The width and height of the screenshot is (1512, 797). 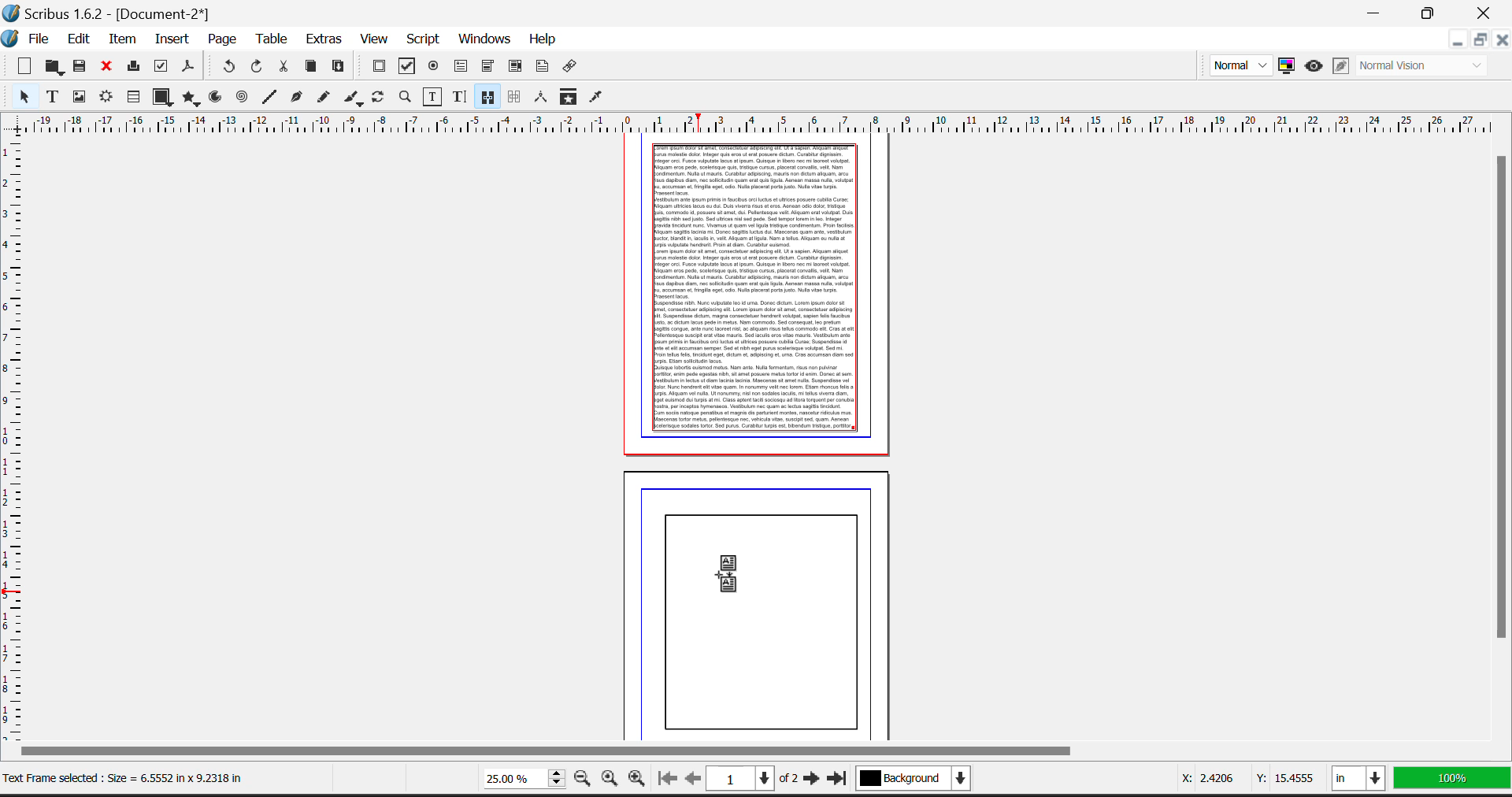 What do you see at coordinates (53, 98) in the screenshot?
I see `Text Frames` at bounding box center [53, 98].